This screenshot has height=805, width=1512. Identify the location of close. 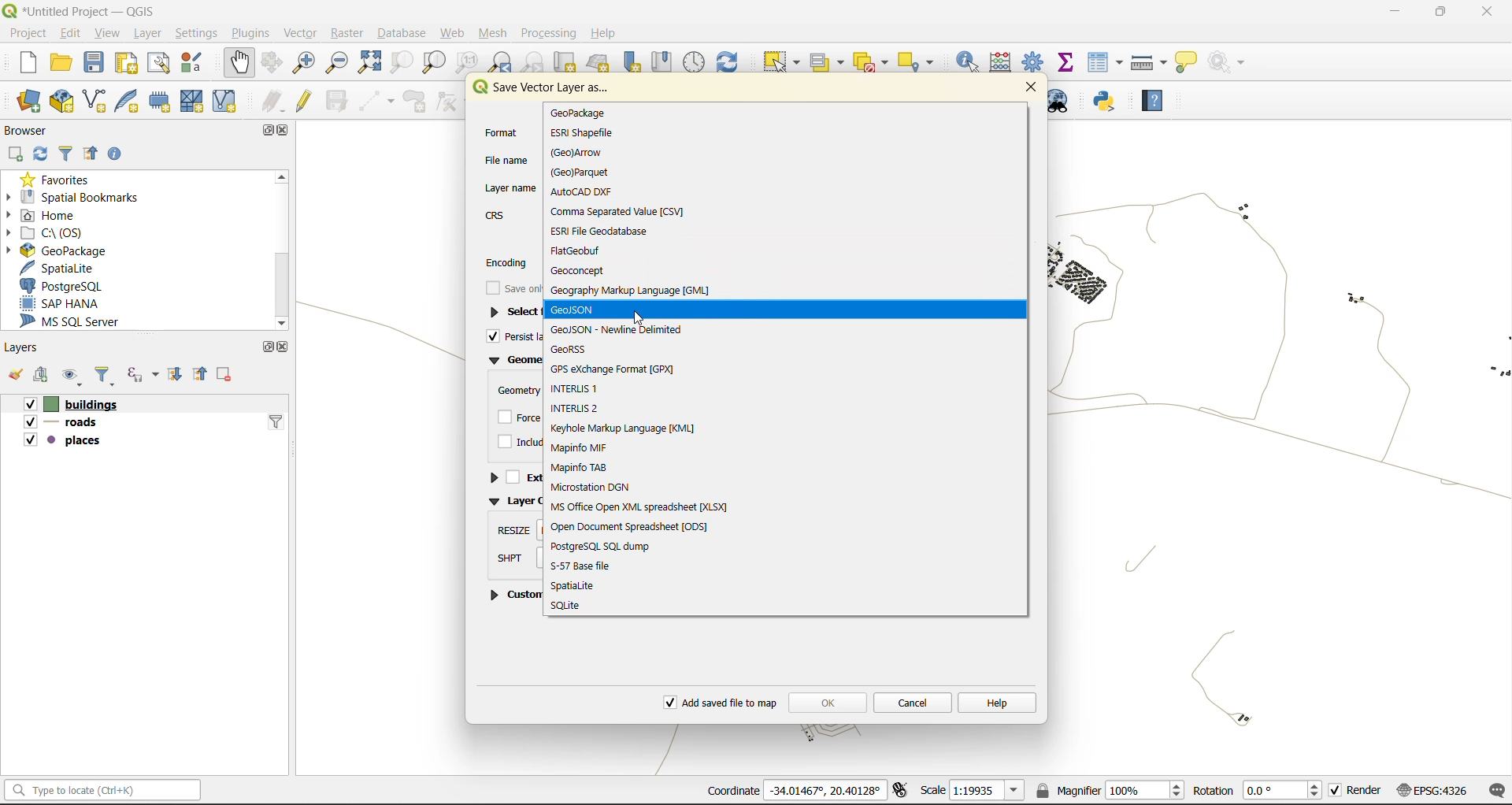
(284, 347).